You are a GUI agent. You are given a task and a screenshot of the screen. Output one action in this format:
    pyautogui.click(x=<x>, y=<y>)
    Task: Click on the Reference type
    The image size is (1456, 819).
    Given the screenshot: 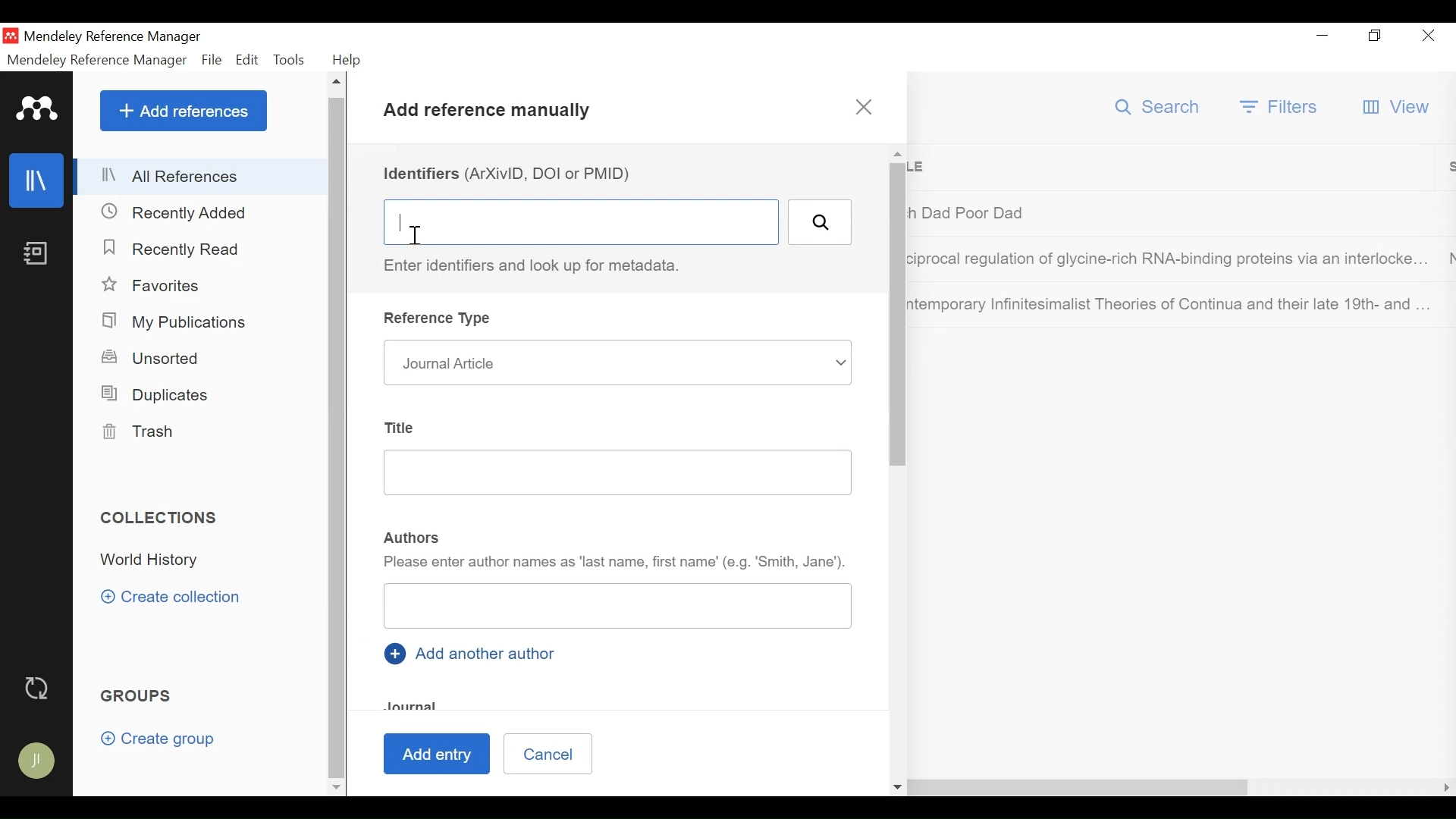 What is the action you would take?
    pyautogui.click(x=441, y=320)
    